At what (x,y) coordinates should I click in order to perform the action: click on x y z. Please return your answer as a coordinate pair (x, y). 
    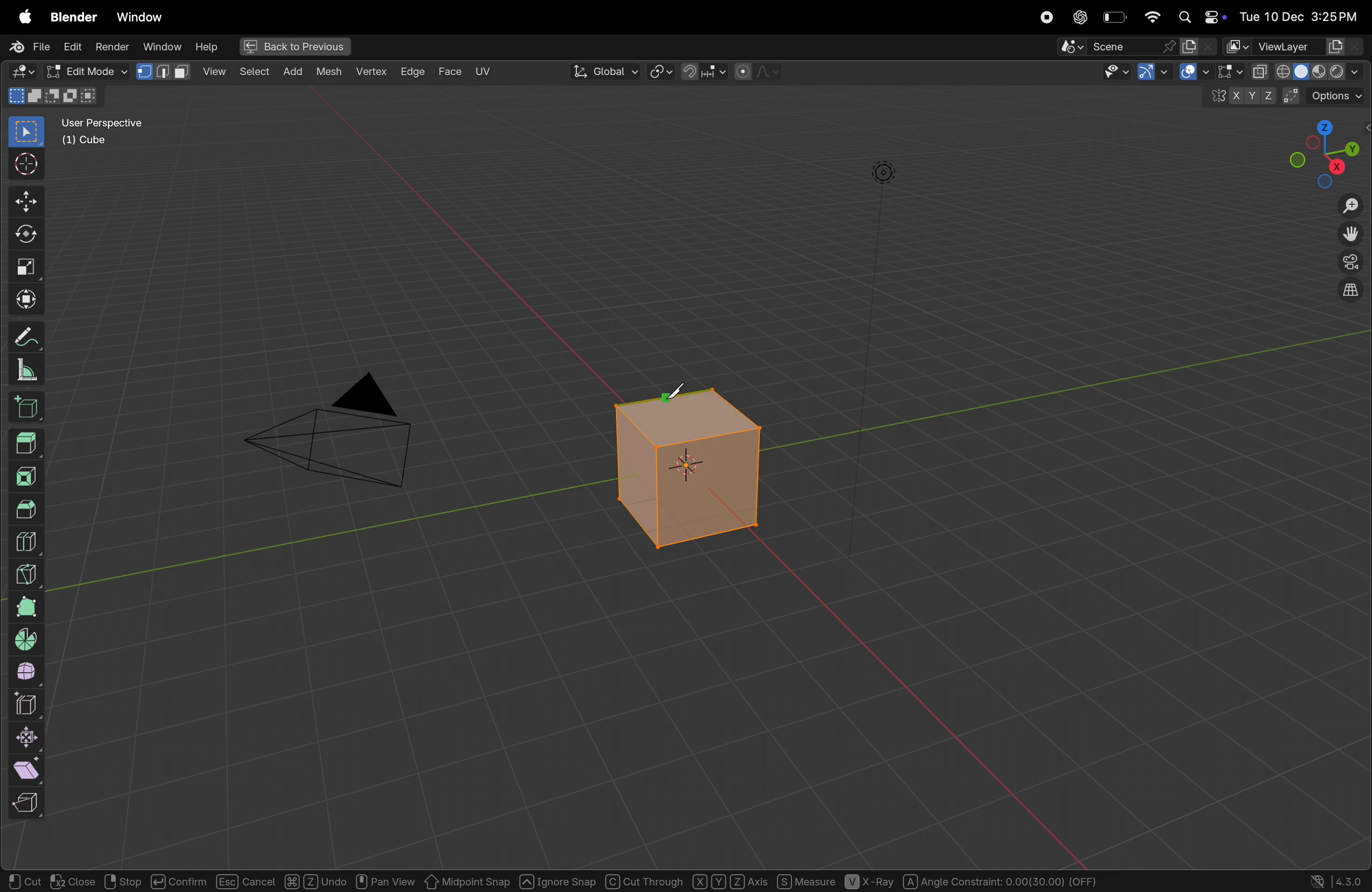
    Looking at the image, I should click on (1239, 99).